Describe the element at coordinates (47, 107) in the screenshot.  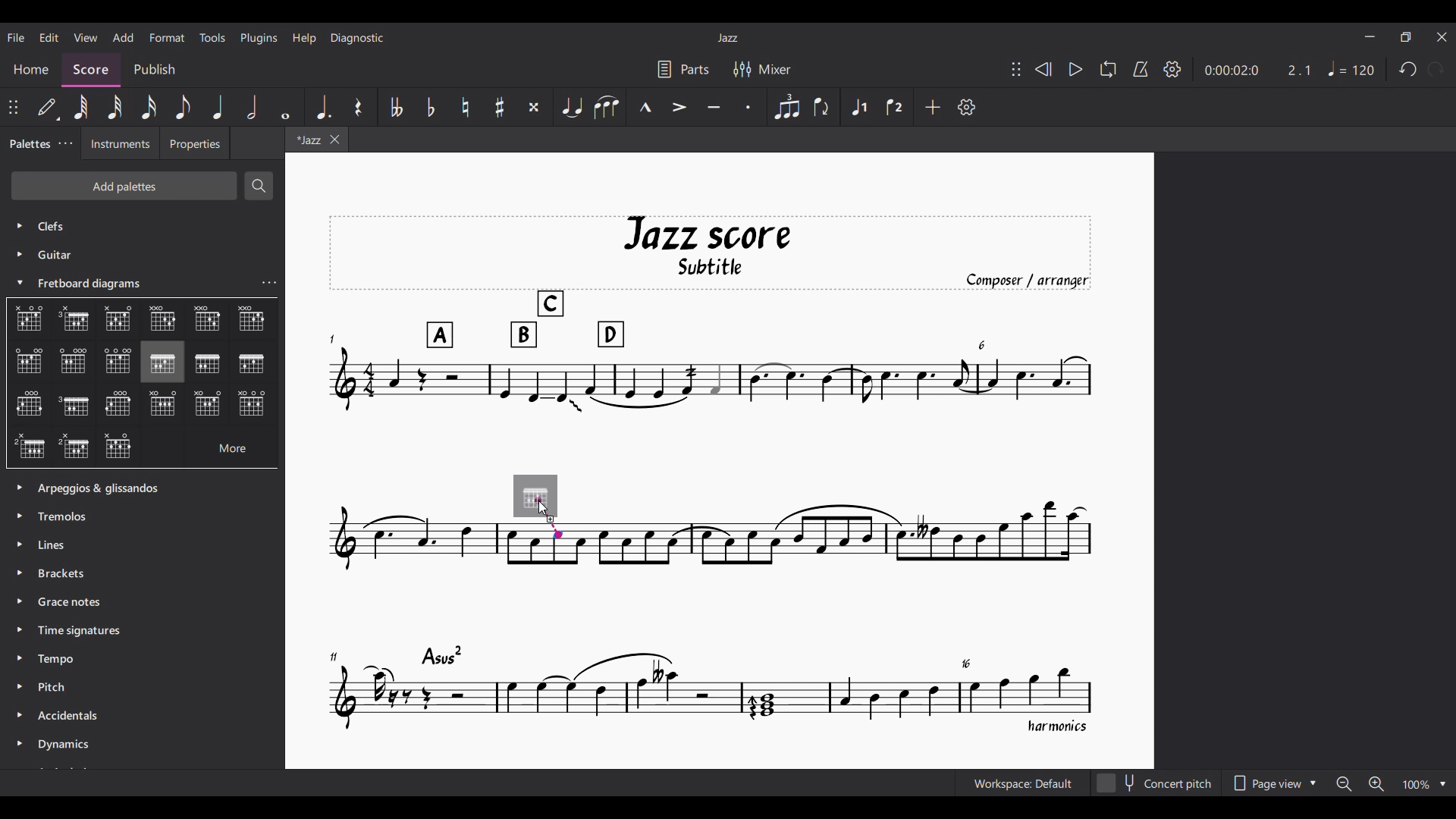
I see `Default` at that location.